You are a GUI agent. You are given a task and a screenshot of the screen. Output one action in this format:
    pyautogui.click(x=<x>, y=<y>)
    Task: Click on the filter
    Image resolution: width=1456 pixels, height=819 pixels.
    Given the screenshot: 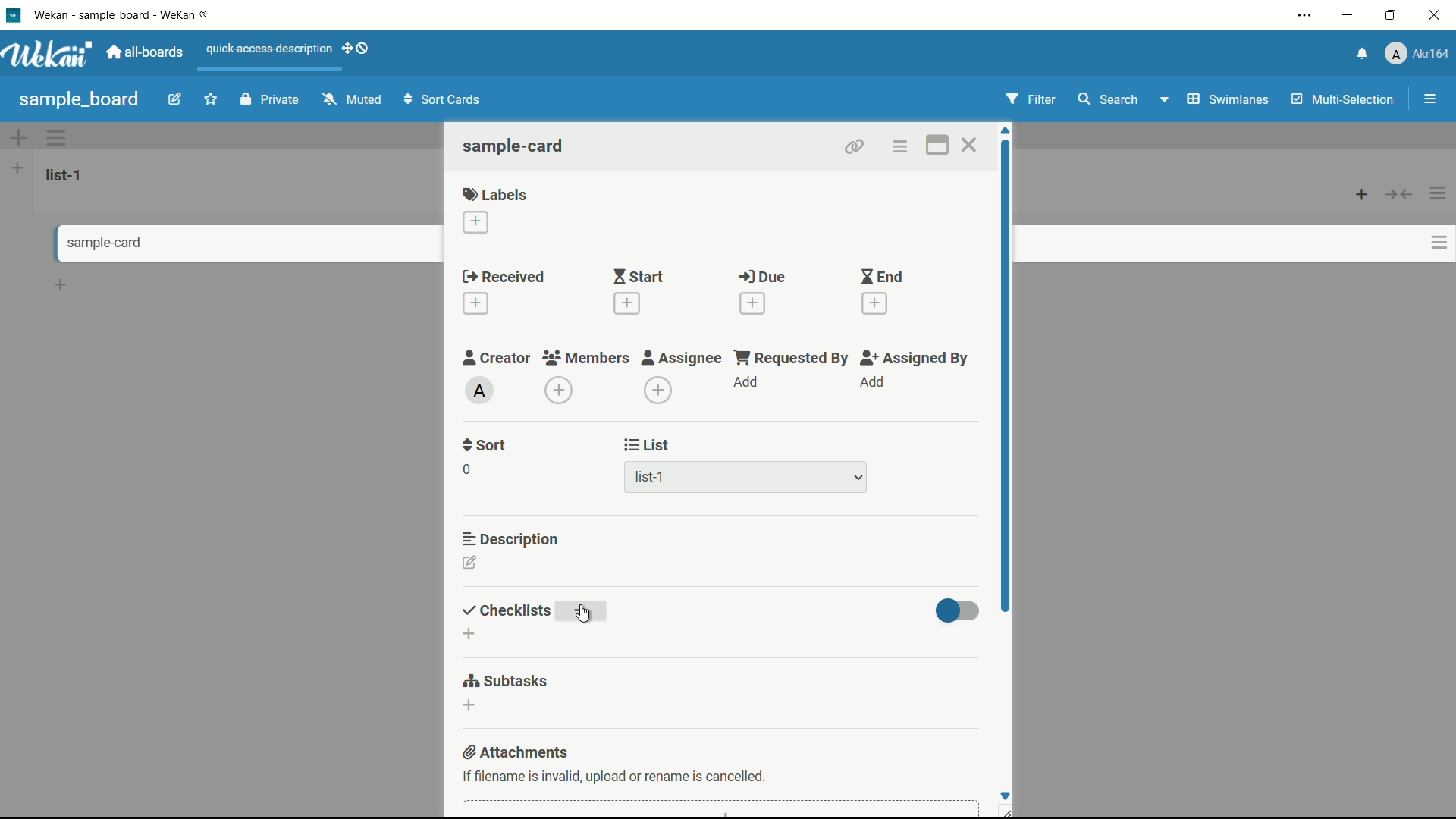 What is the action you would take?
    pyautogui.click(x=1031, y=100)
    